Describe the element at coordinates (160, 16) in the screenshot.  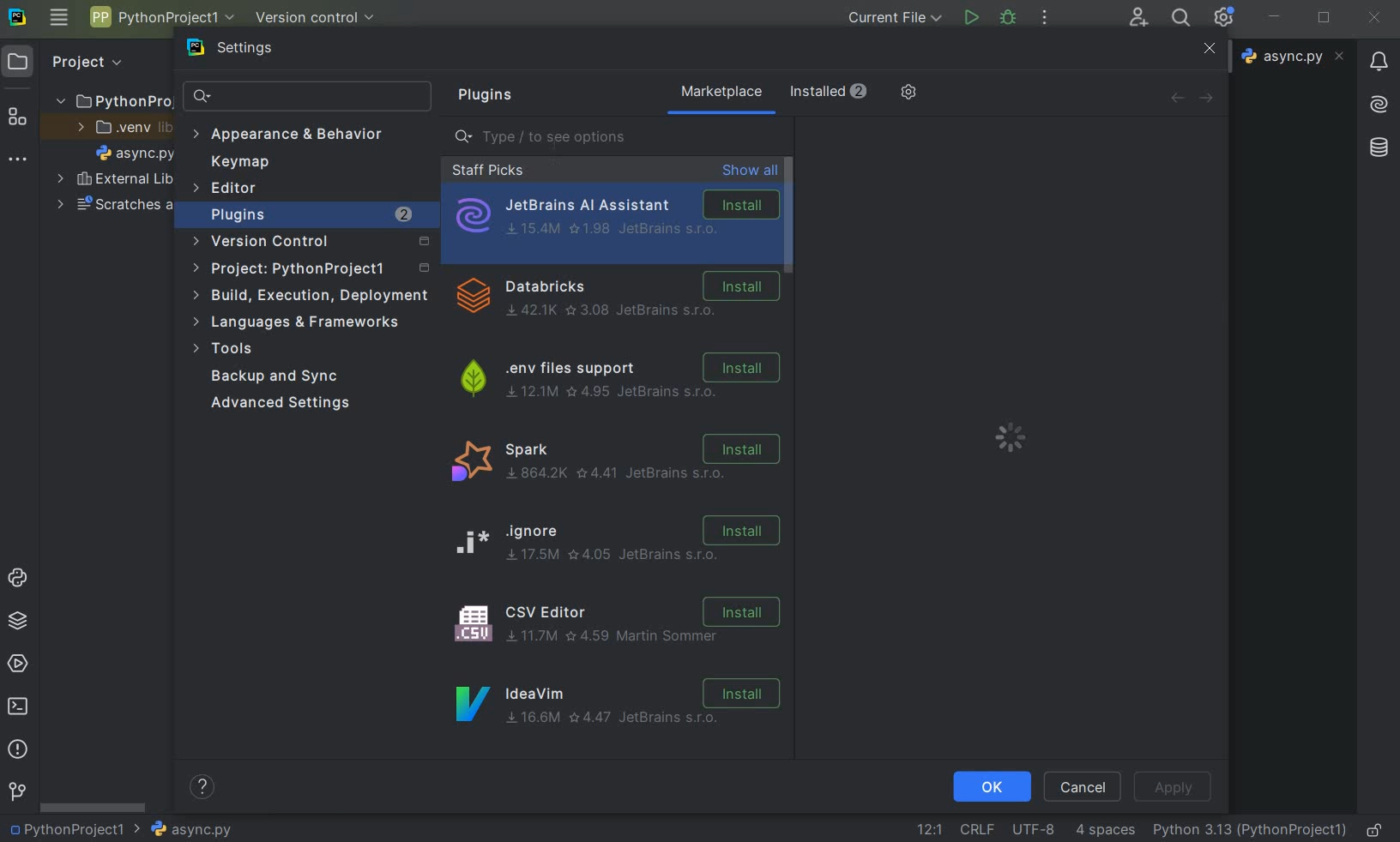
I see `project name` at that location.